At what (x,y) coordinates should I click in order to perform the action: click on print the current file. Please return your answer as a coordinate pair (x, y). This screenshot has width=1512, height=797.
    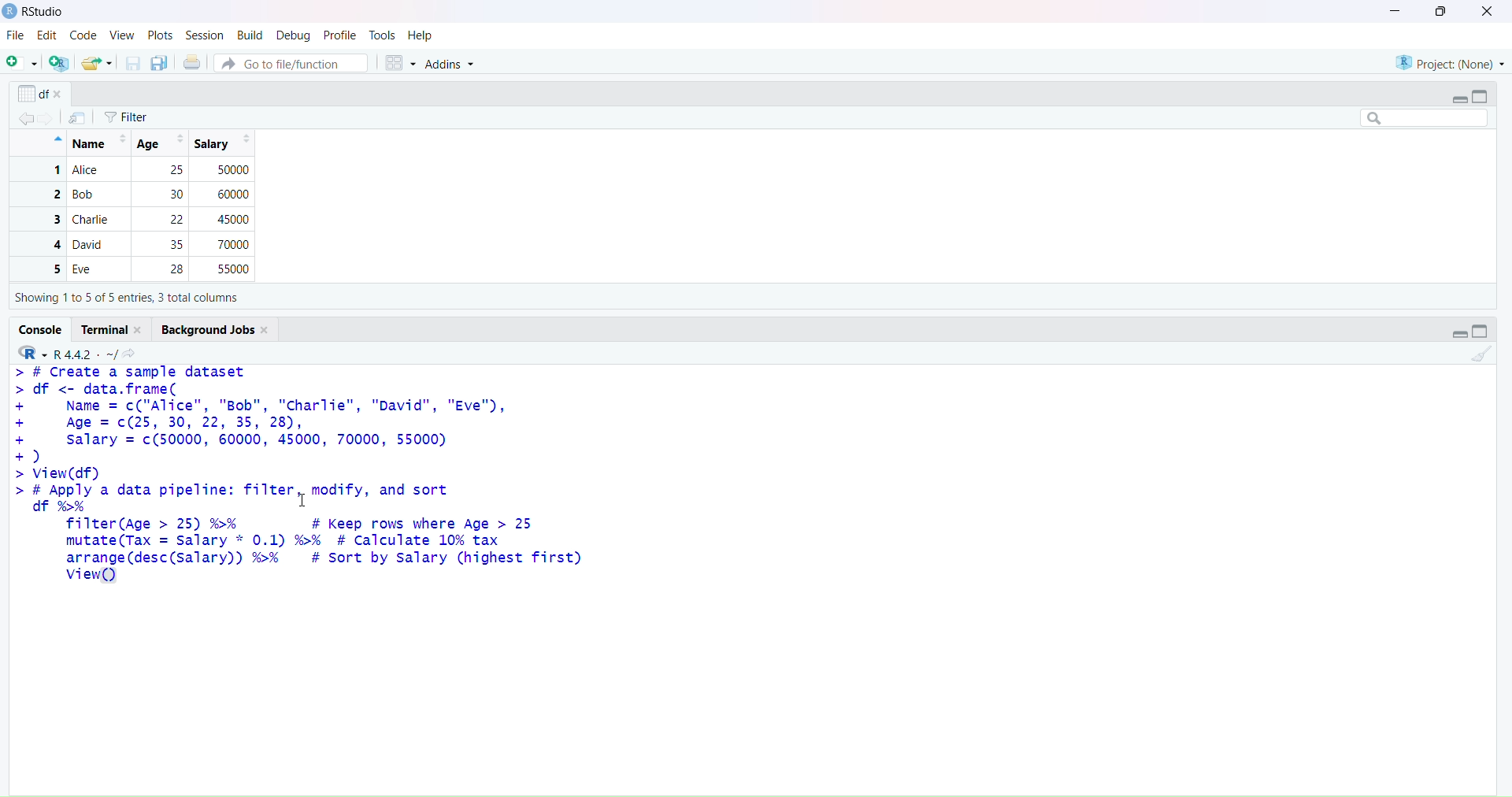
    Looking at the image, I should click on (192, 61).